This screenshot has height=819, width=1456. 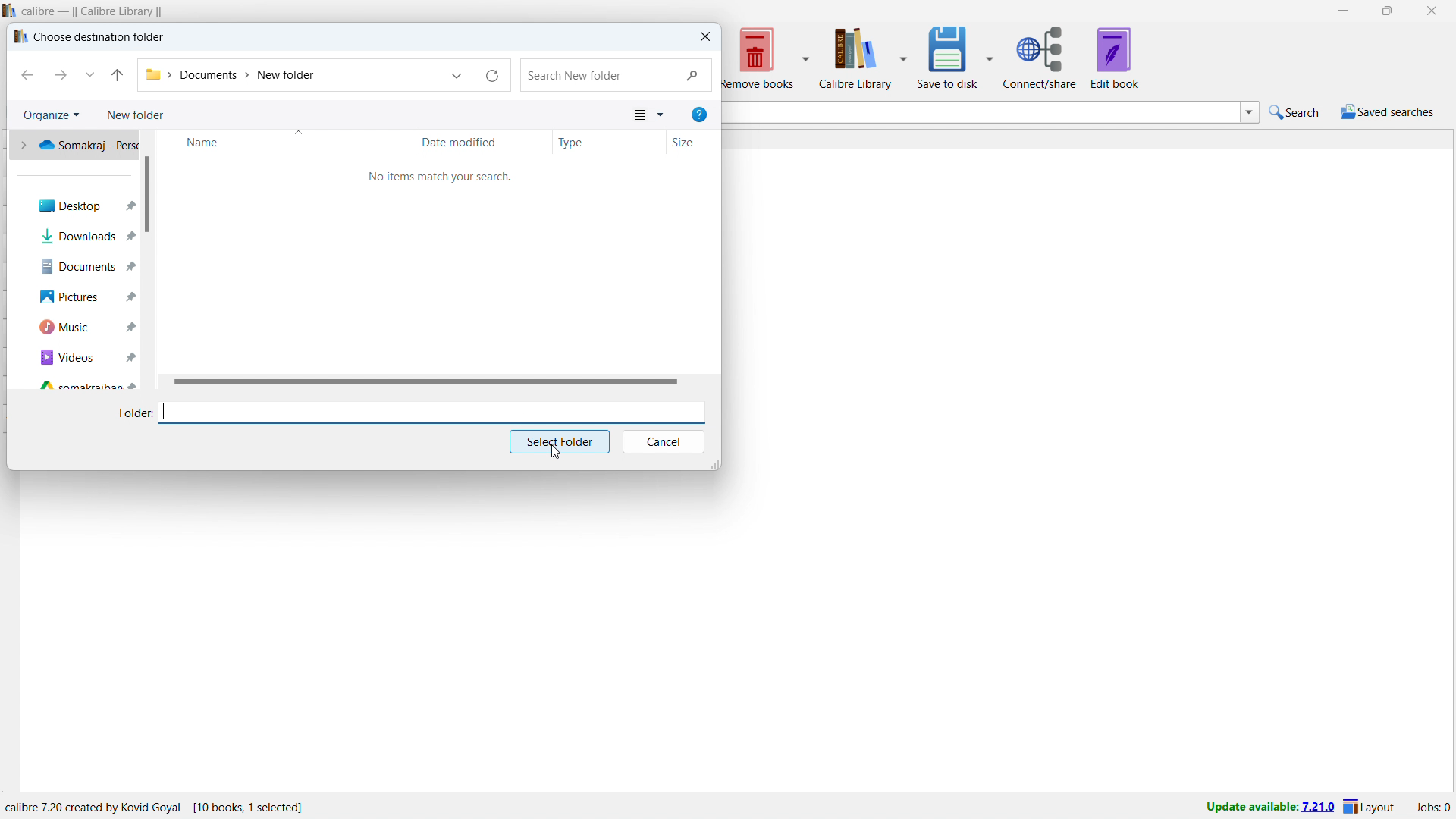 I want to click on minimize, so click(x=1345, y=11).